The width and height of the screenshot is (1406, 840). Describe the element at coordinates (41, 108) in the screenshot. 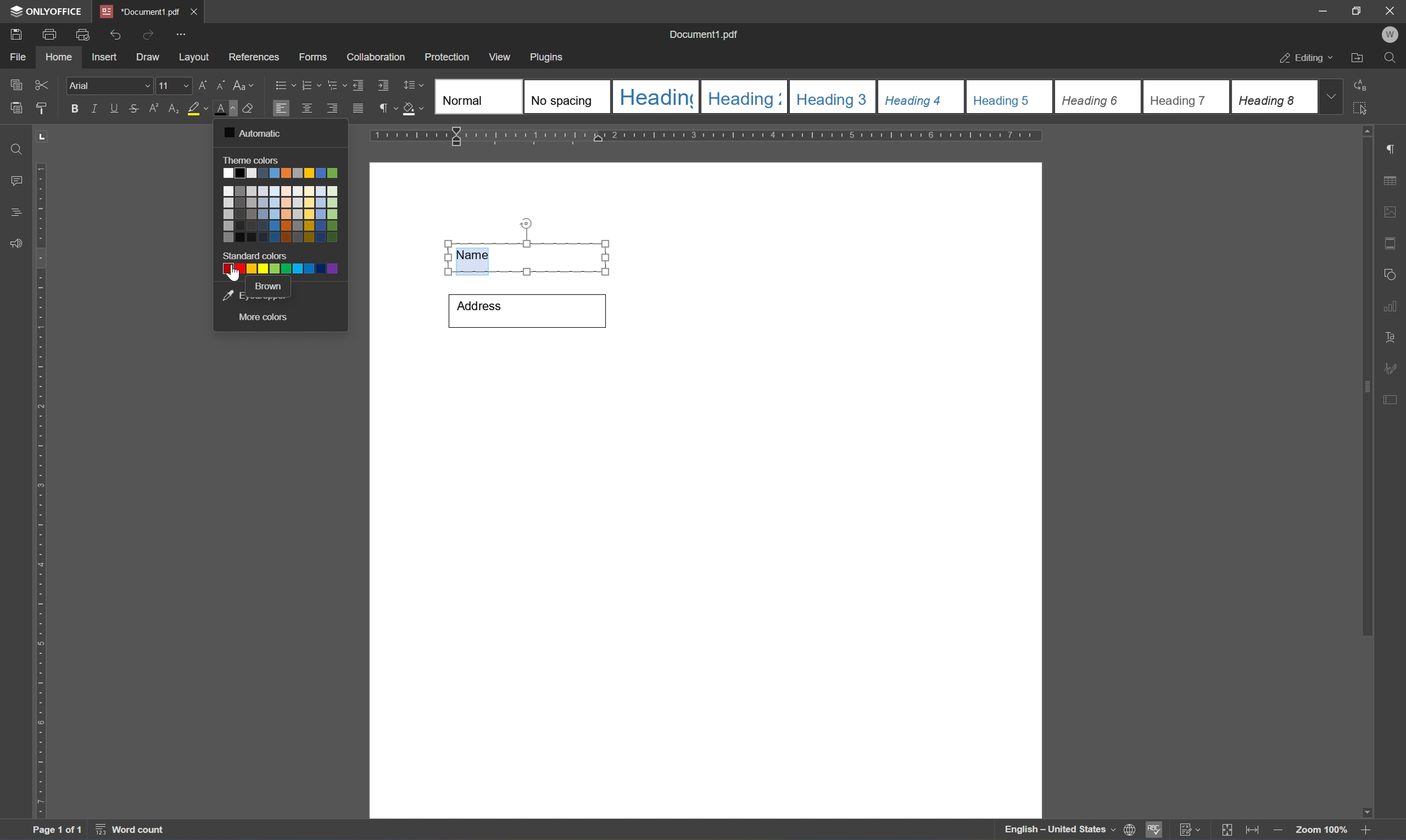

I see `copy style` at that location.